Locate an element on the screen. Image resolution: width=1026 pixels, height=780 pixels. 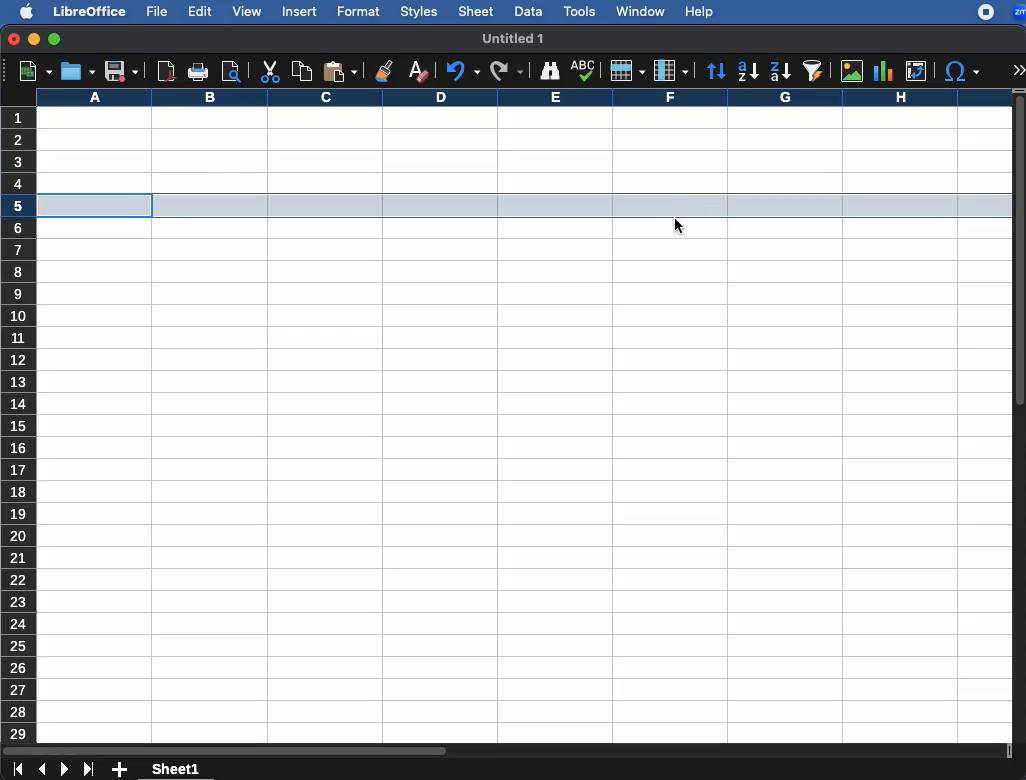
print is located at coordinates (199, 73).